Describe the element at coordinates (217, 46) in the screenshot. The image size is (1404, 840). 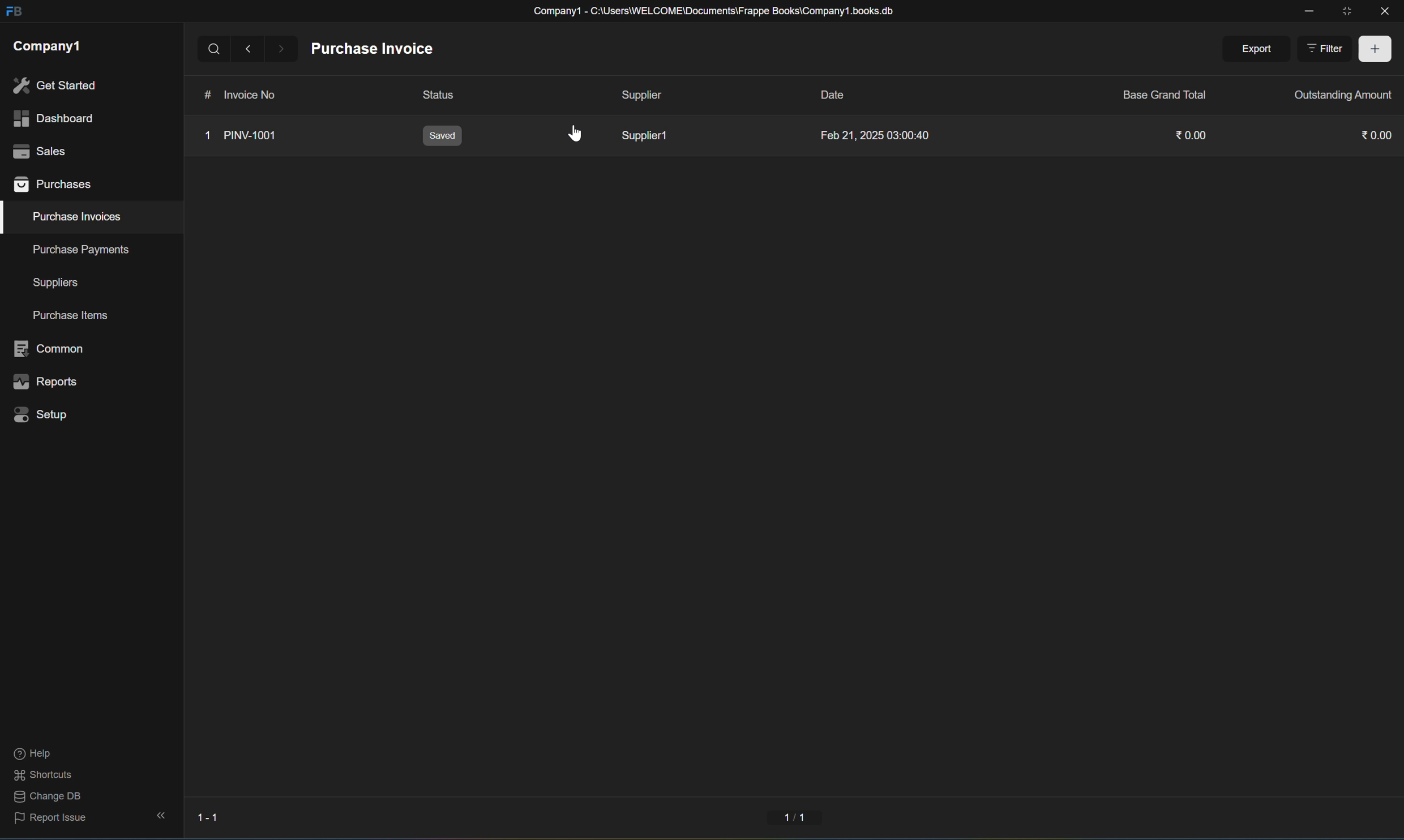
I see `search` at that location.